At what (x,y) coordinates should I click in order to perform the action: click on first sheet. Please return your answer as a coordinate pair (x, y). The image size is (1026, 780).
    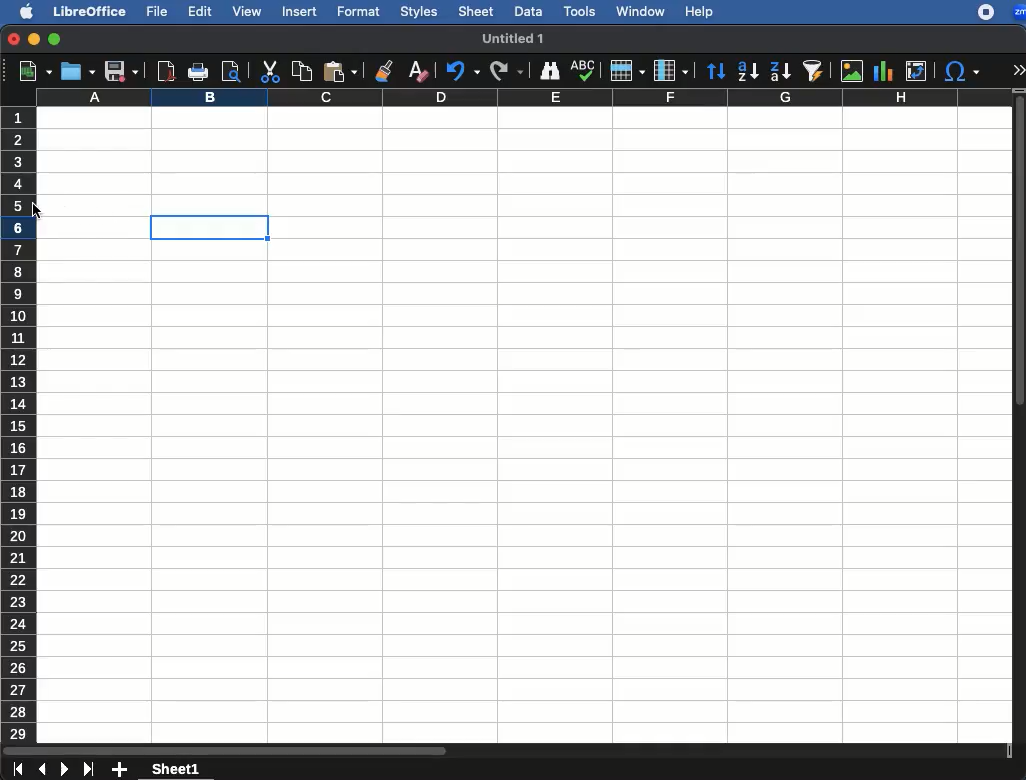
    Looking at the image, I should click on (17, 768).